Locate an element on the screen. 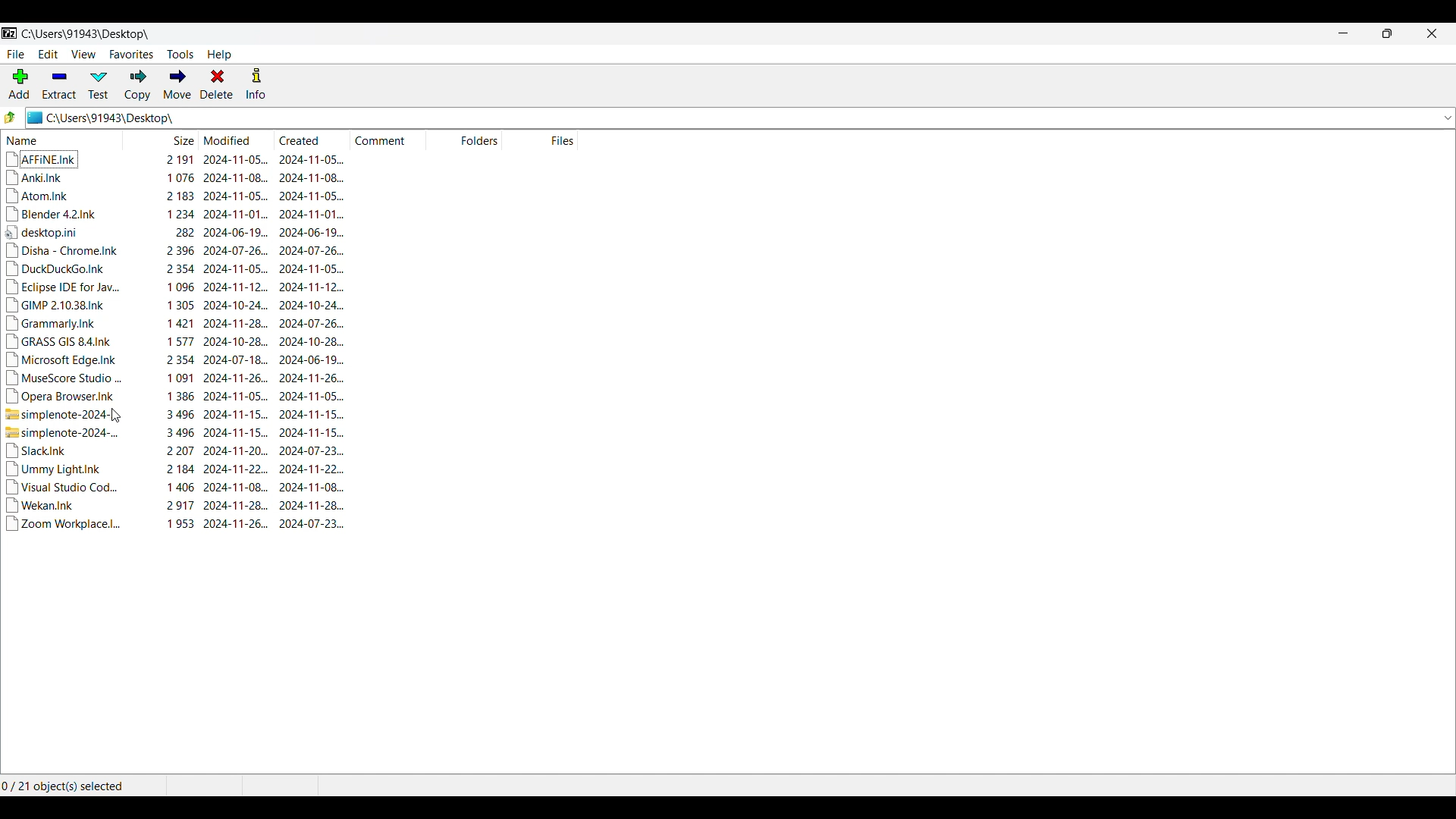 The image size is (1456, 819). Favorites is located at coordinates (131, 55).